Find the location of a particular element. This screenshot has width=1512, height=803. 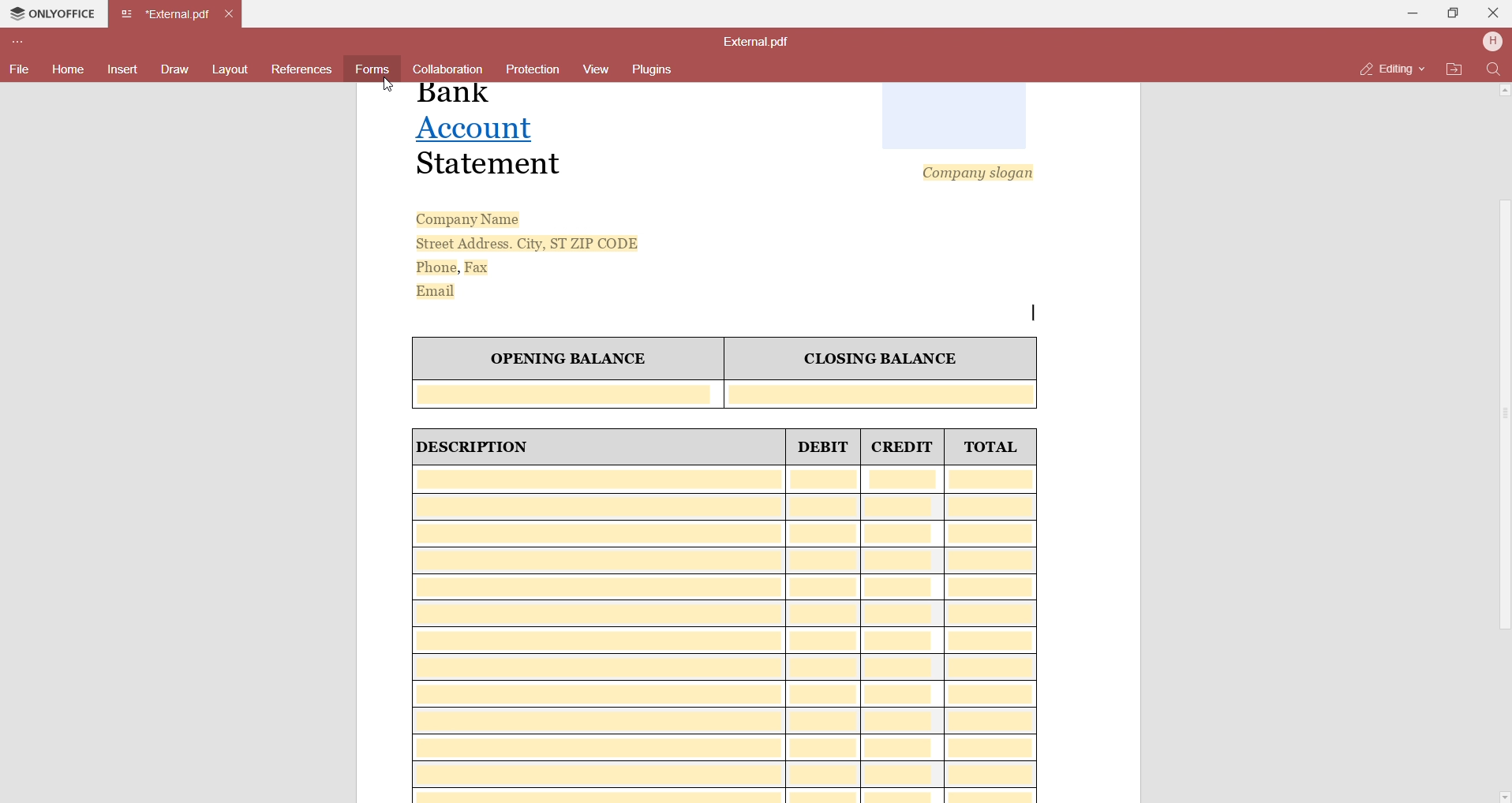

View is located at coordinates (595, 69).